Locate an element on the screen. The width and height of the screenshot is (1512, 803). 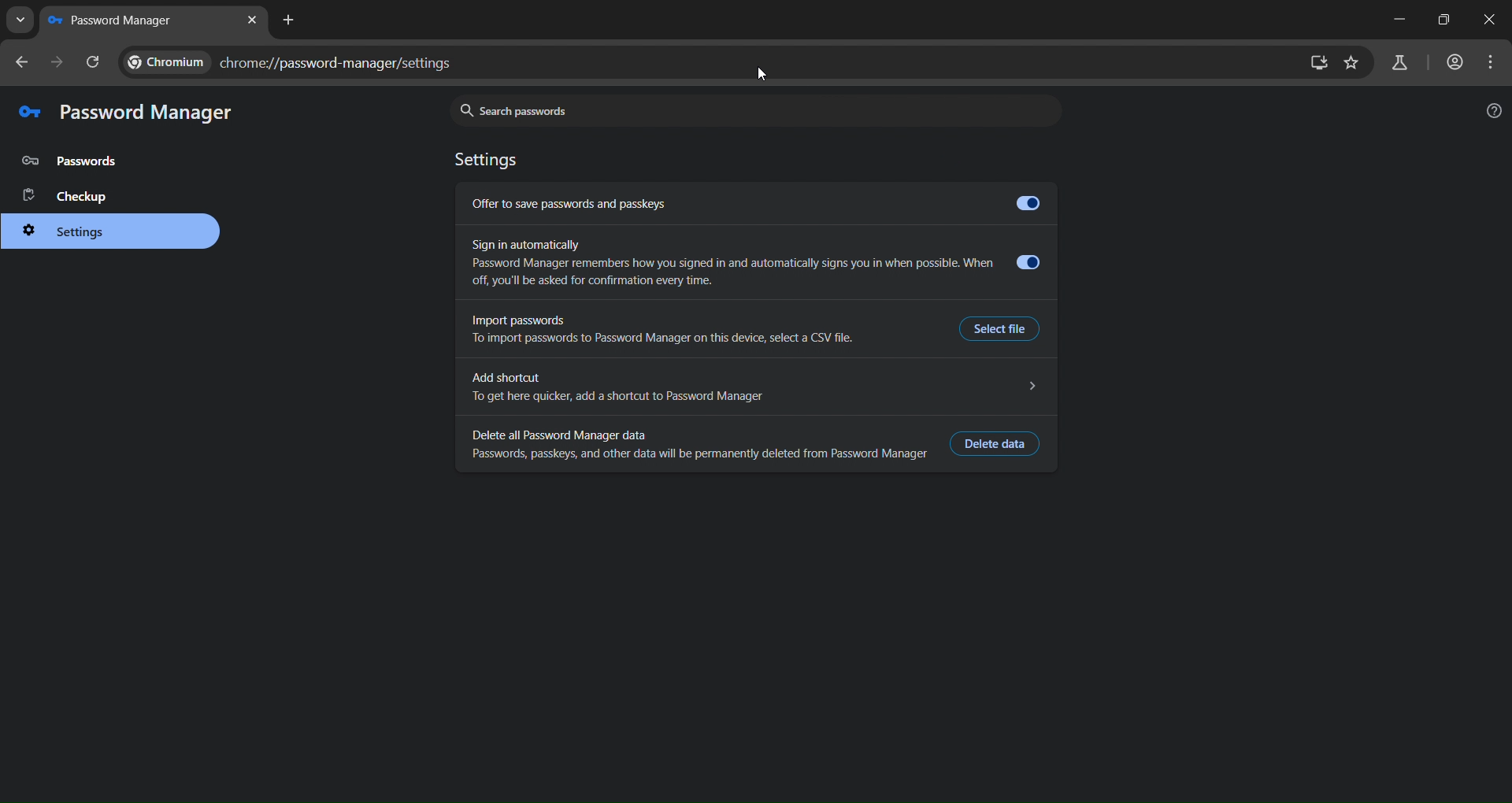
maximize/restore is located at coordinates (1441, 19).